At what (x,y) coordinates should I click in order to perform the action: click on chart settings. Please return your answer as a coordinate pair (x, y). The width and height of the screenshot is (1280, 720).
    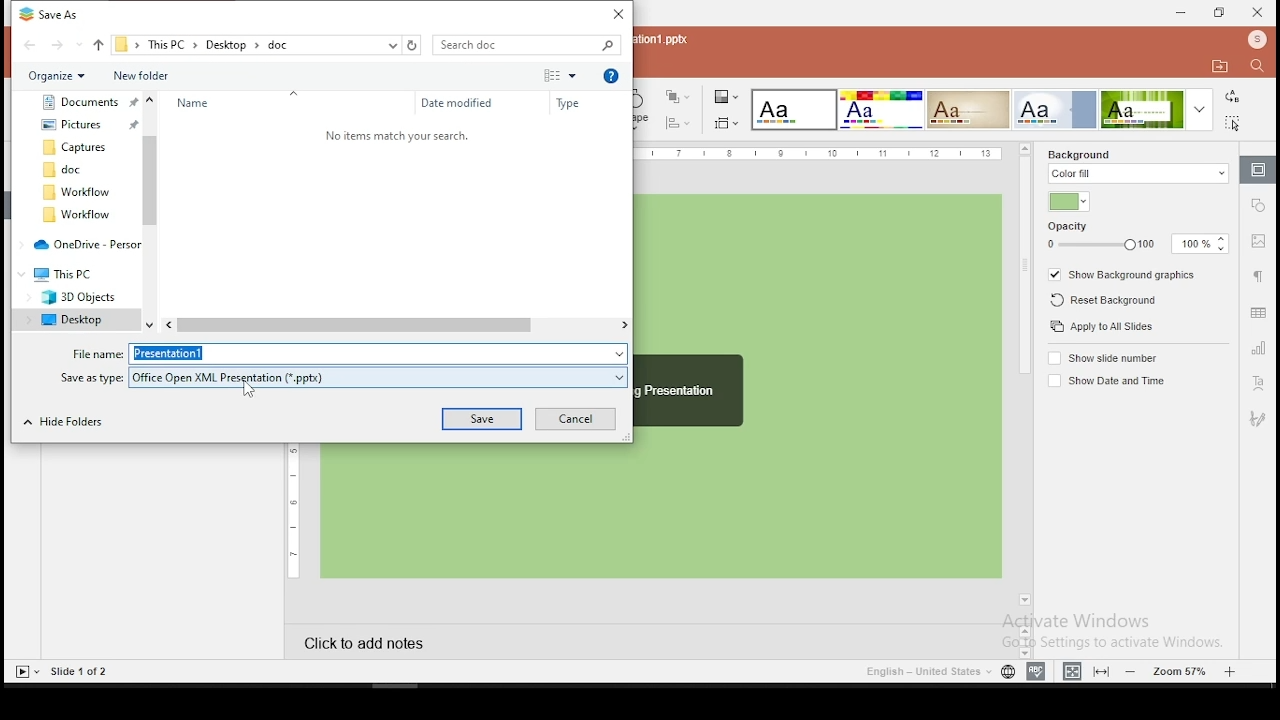
    Looking at the image, I should click on (1258, 349).